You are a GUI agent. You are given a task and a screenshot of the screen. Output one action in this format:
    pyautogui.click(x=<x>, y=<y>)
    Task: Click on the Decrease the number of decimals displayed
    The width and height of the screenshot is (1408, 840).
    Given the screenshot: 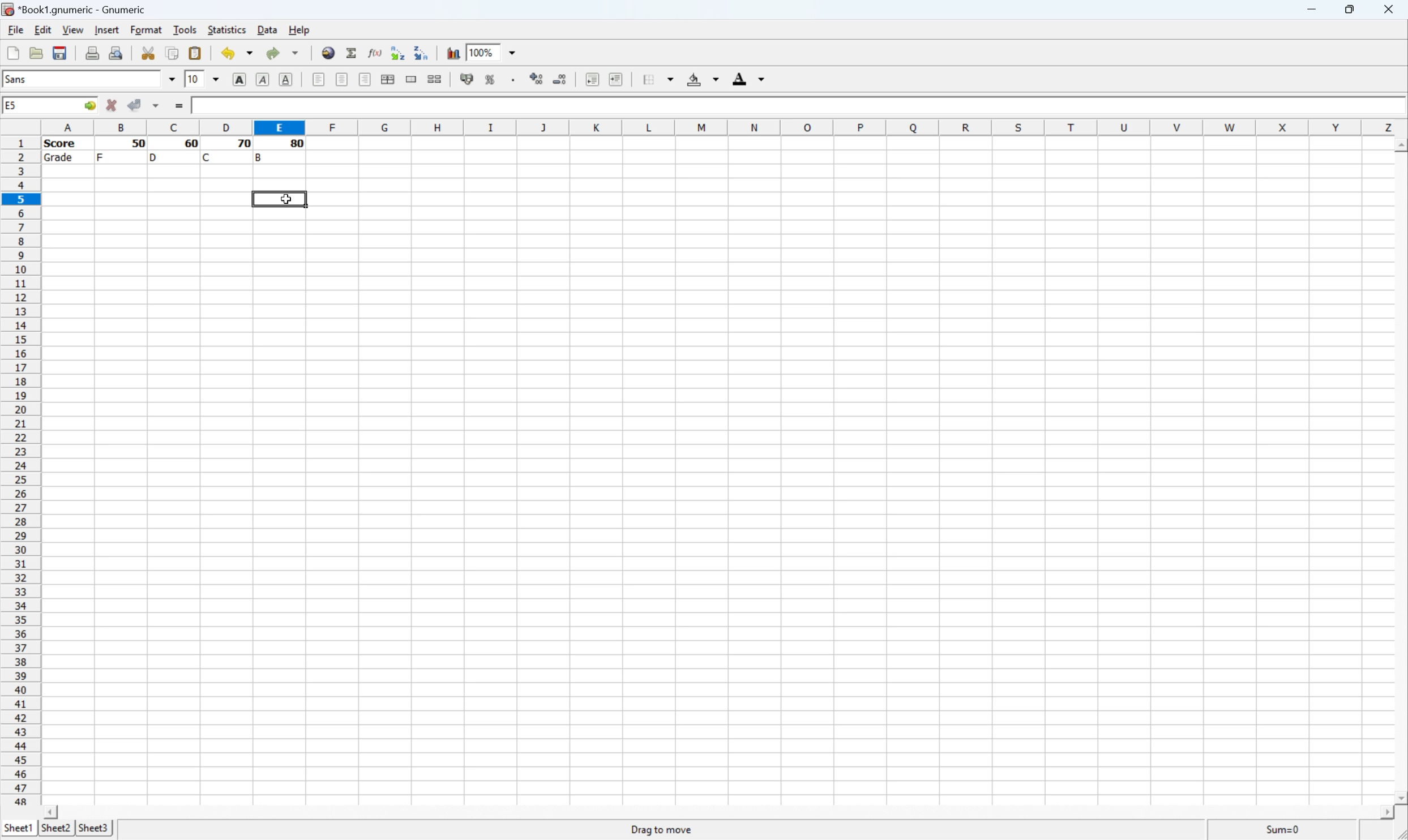 What is the action you would take?
    pyautogui.click(x=560, y=79)
    